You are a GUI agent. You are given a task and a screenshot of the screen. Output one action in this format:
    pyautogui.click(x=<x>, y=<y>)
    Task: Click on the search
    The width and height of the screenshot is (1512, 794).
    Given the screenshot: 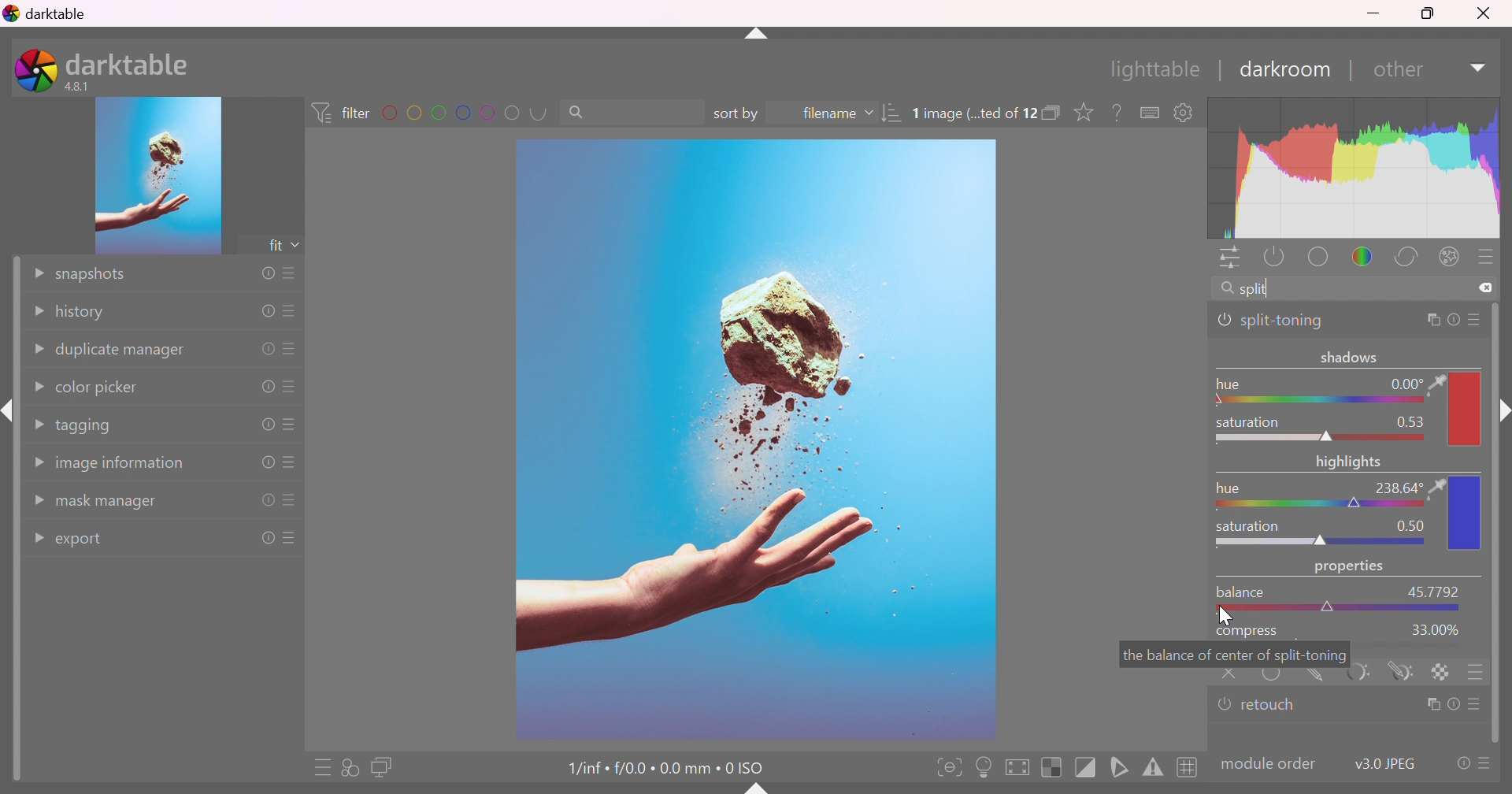 What is the action you would take?
    pyautogui.click(x=613, y=113)
    